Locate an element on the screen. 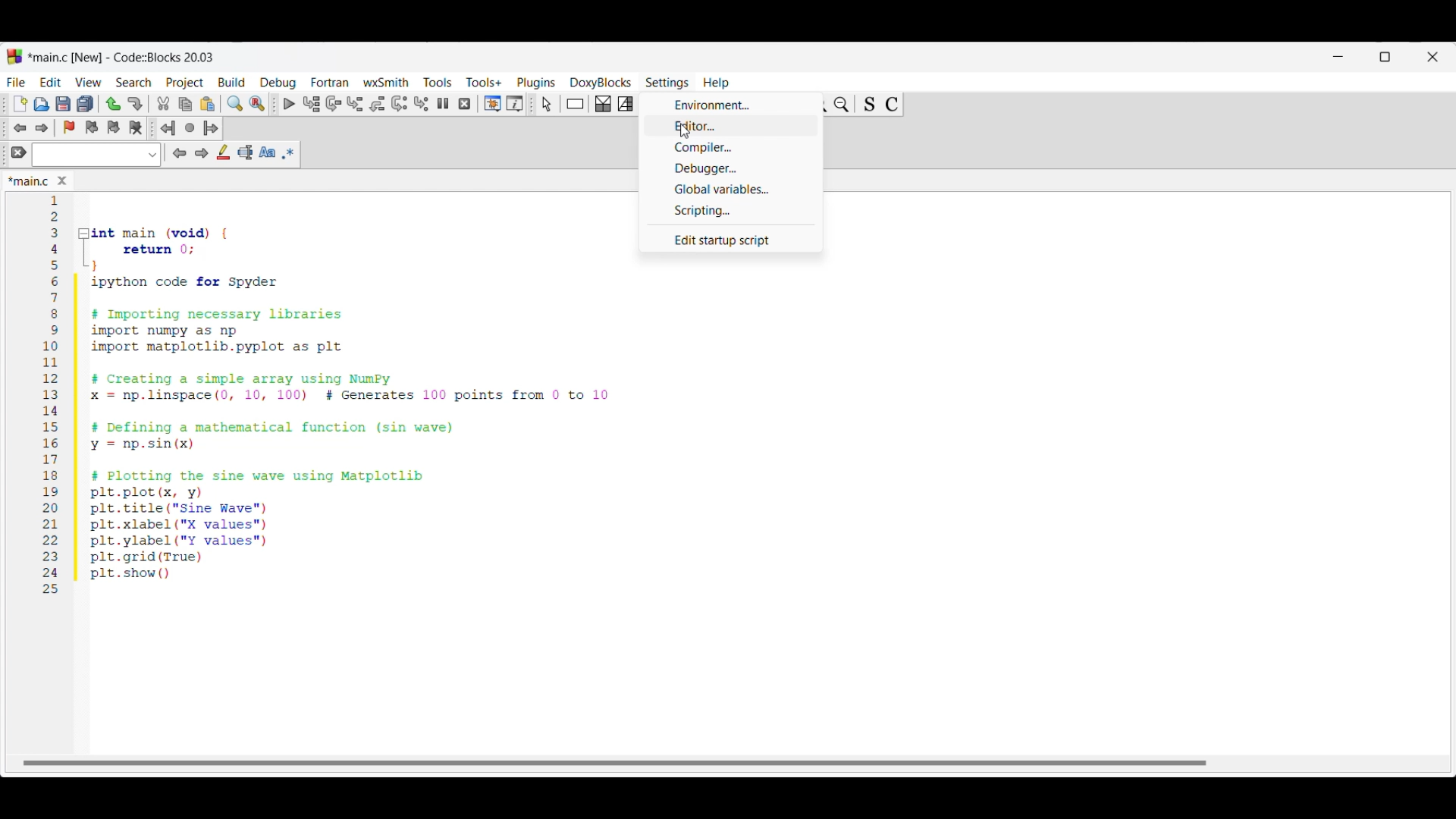 This screenshot has width=1456, height=819. Current code is located at coordinates (328, 395).